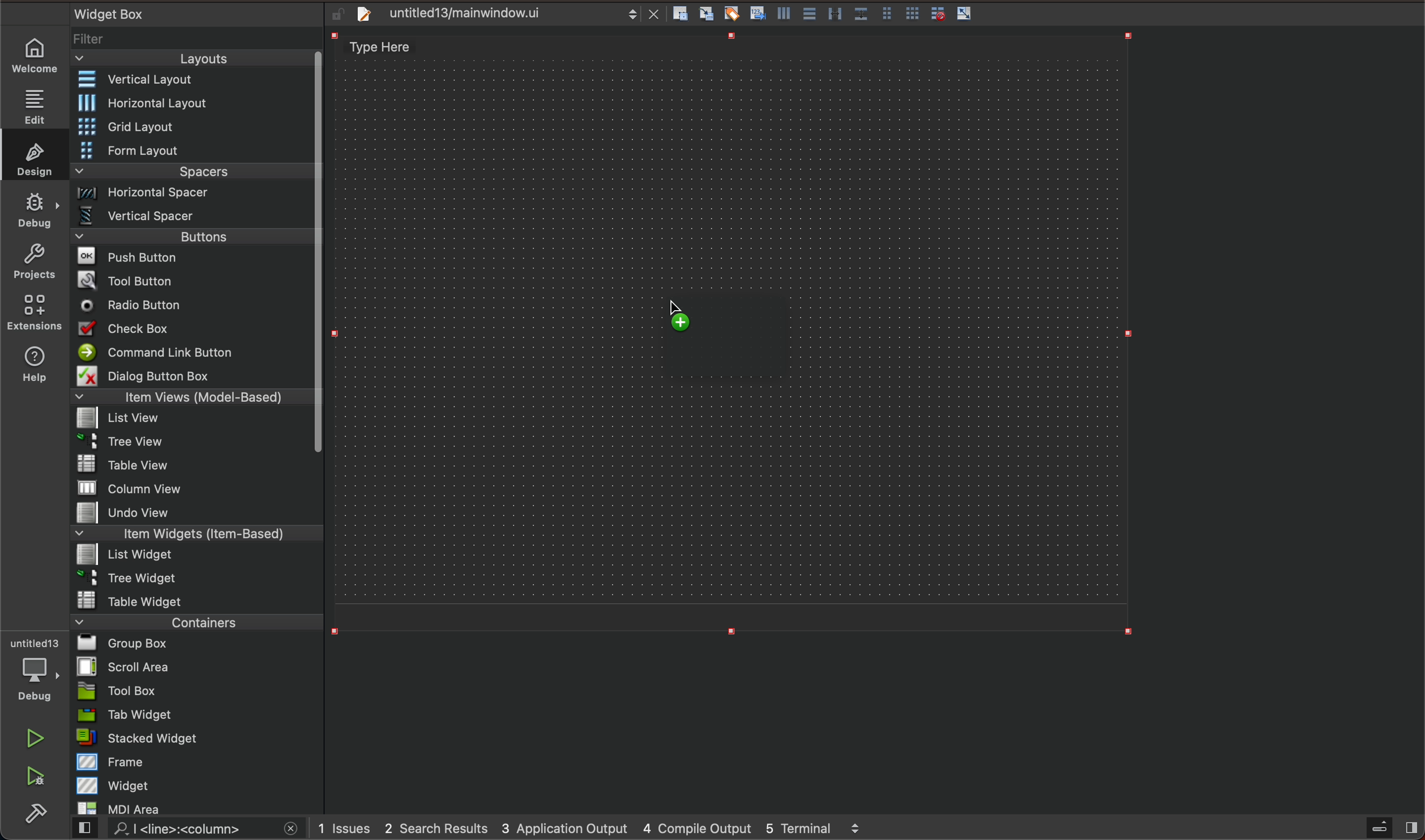 This screenshot has width=1425, height=840. Describe the element at coordinates (861, 13) in the screenshot. I see `` at that location.